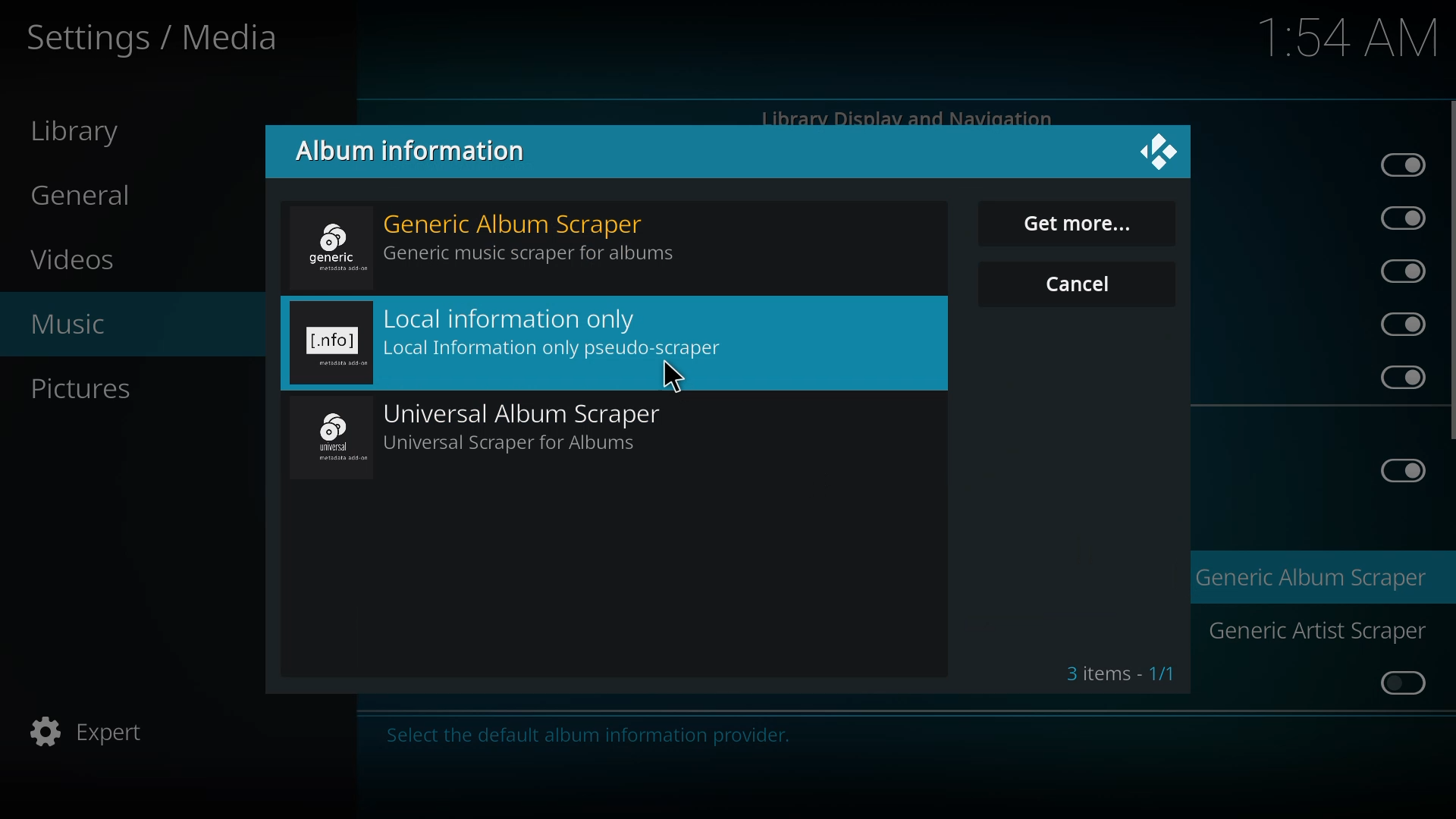 Image resolution: width=1456 pixels, height=819 pixels. Describe the element at coordinates (83, 391) in the screenshot. I see `pictures` at that location.